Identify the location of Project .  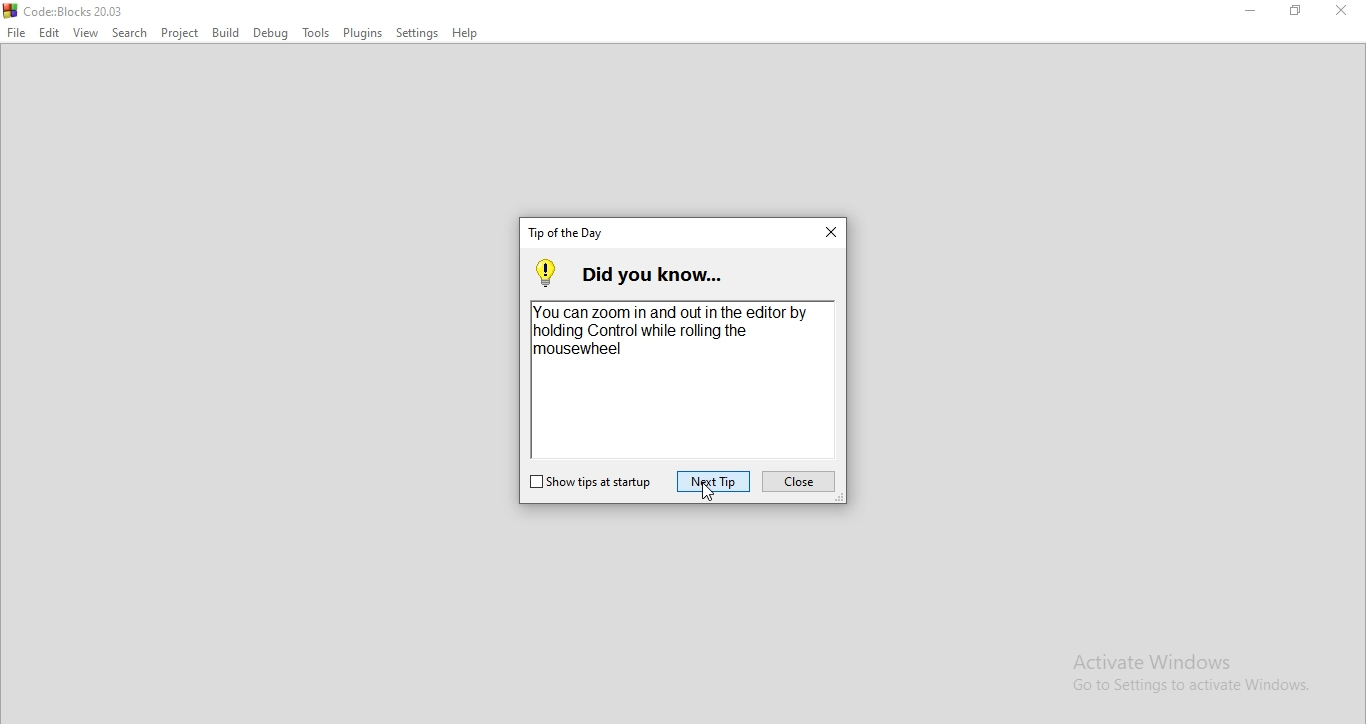
(178, 33).